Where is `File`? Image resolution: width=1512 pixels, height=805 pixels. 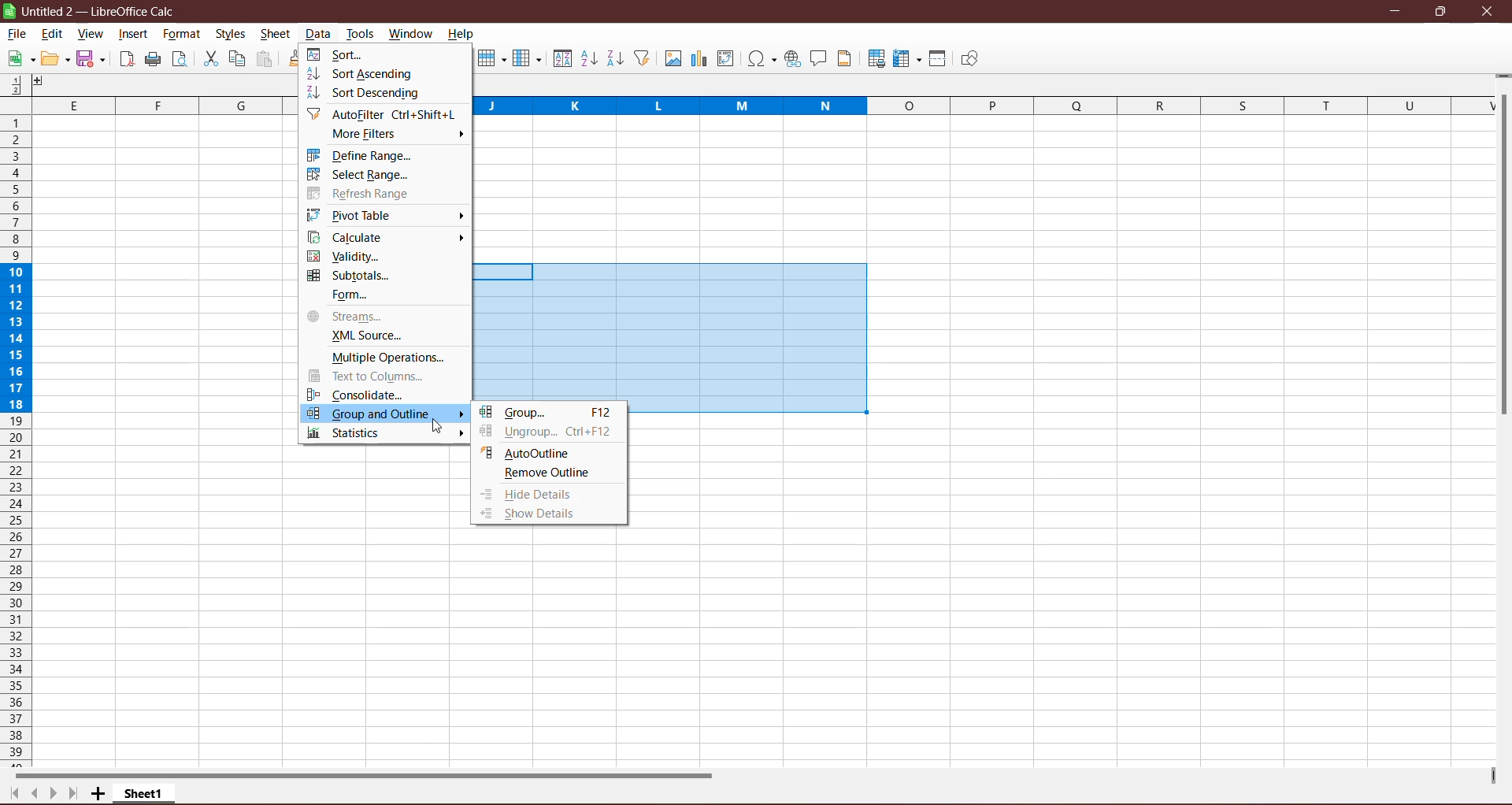 File is located at coordinates (17, 34).